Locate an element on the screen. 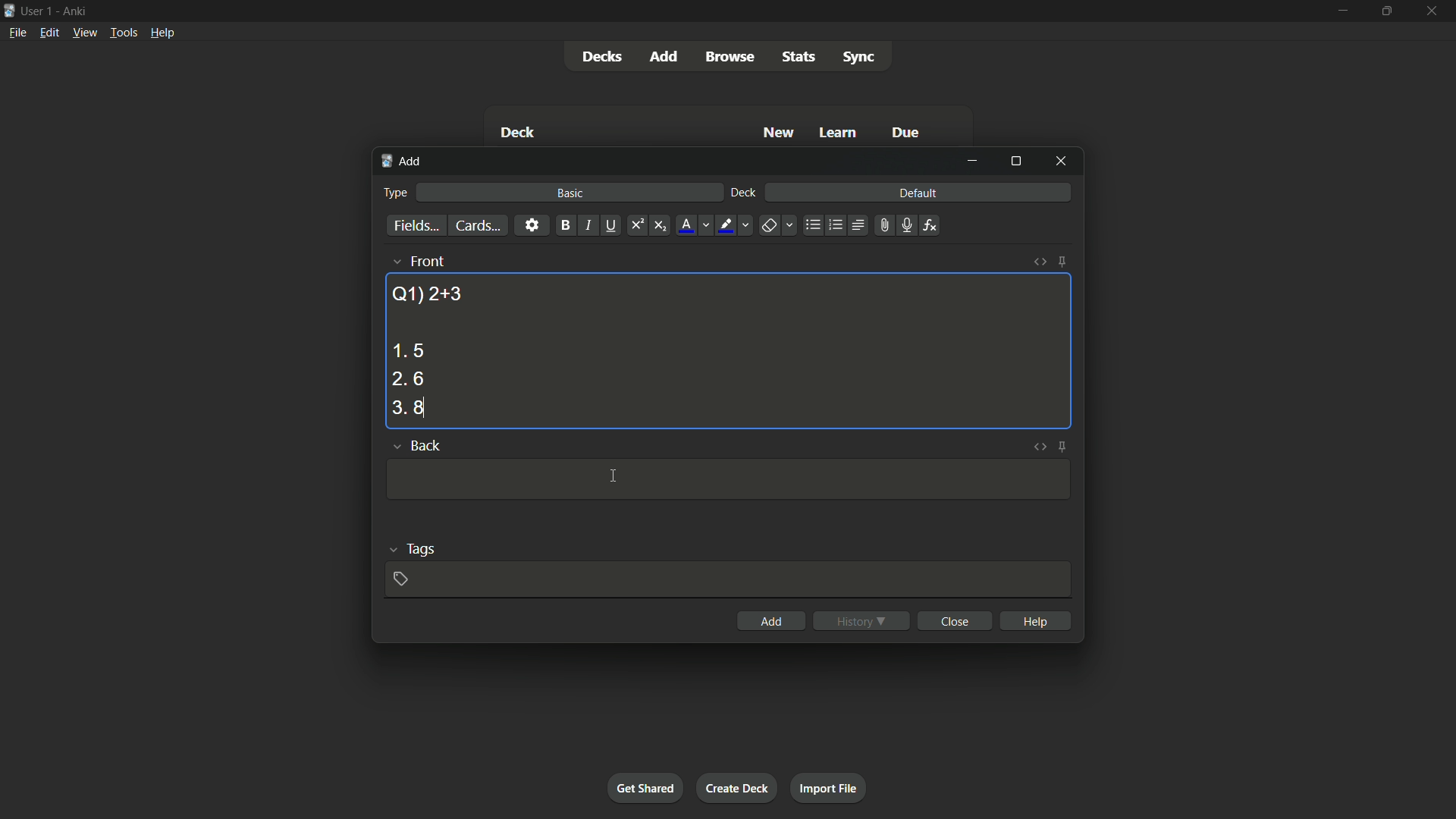 Image resolution: width=1456 pixels, height=819 pixels. underline is located at coordinates (610, 225).